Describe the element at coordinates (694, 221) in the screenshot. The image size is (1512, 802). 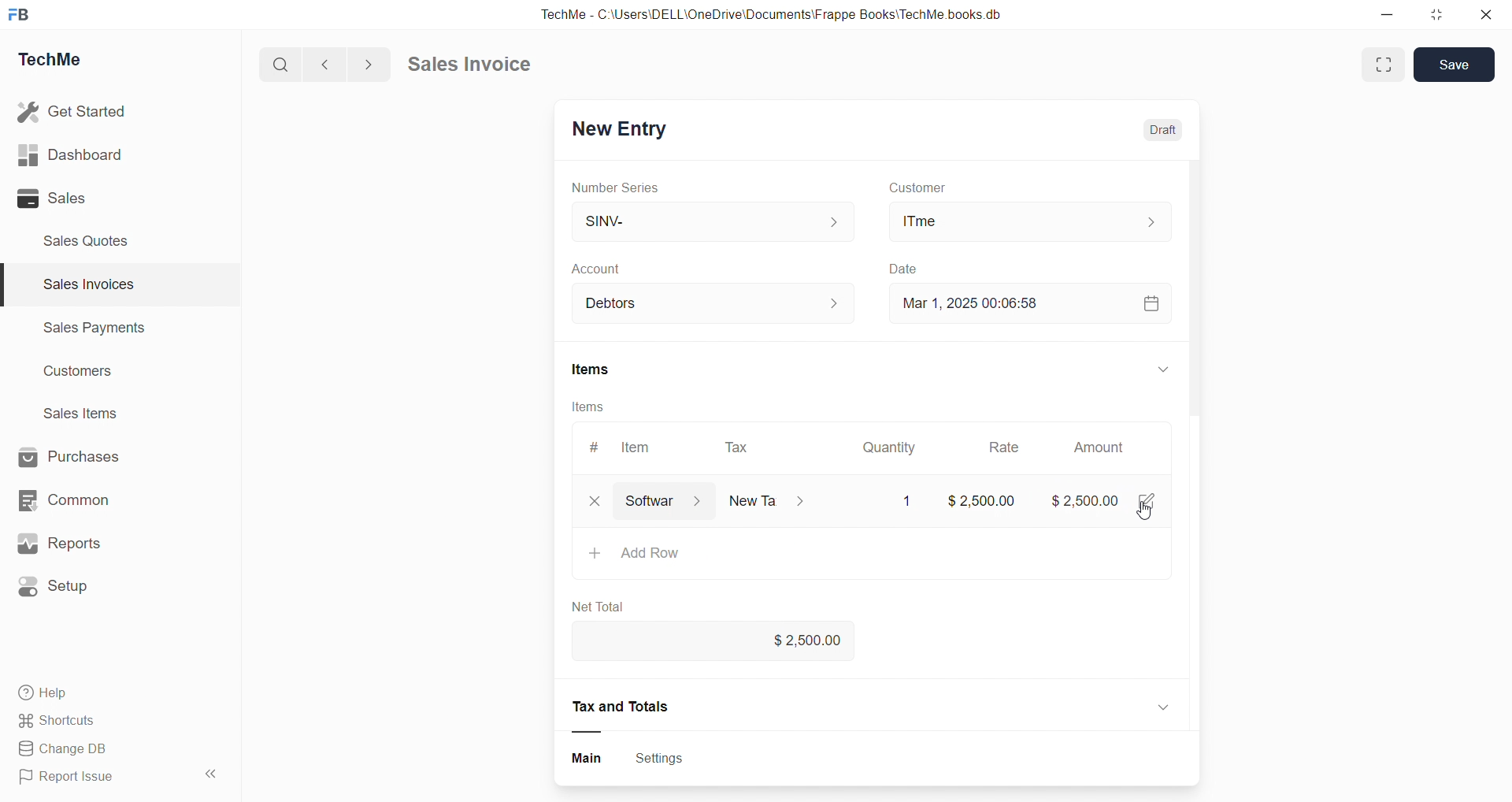
I see `SINV-` at that location.